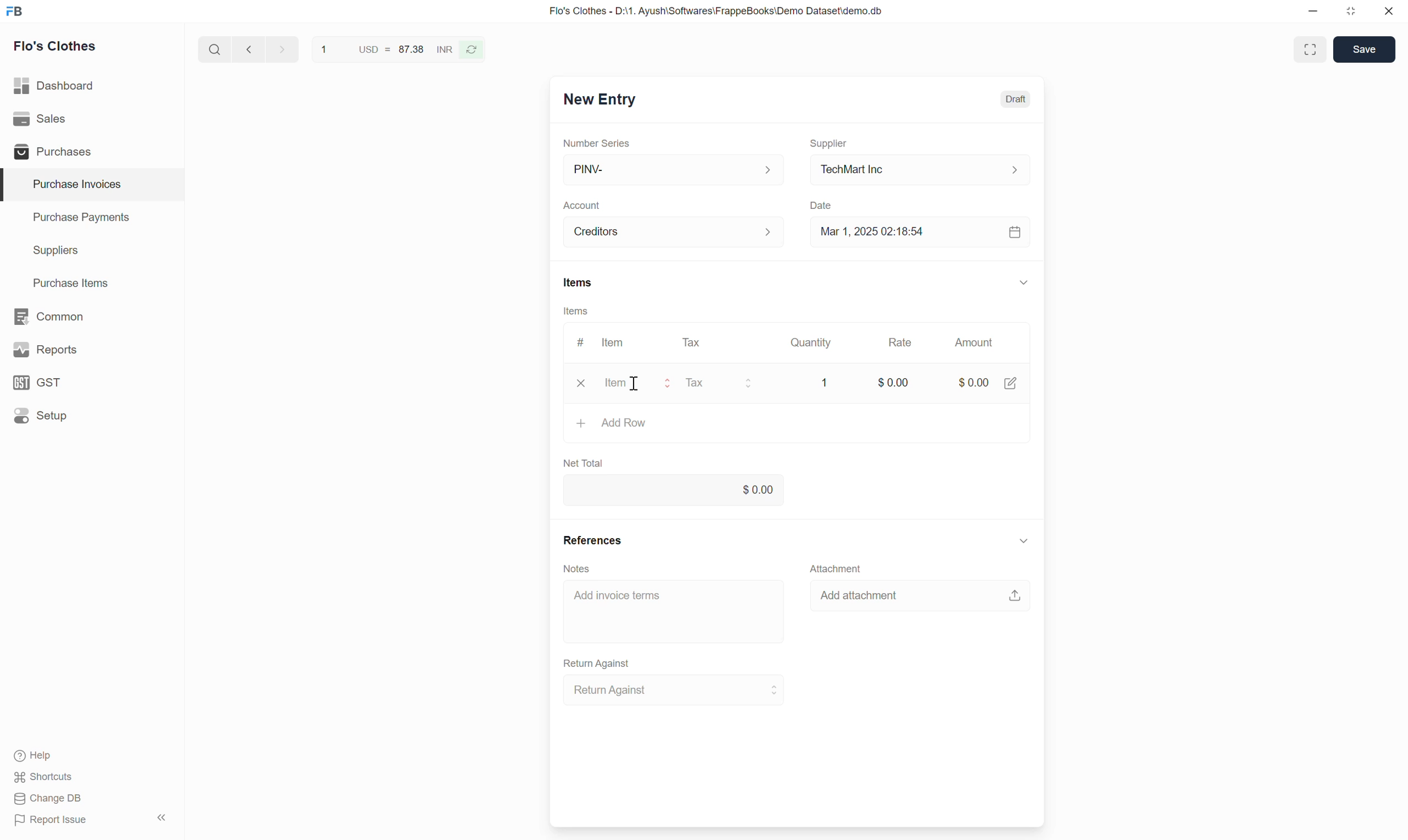  I want to click on Sales, so click(92, 119).